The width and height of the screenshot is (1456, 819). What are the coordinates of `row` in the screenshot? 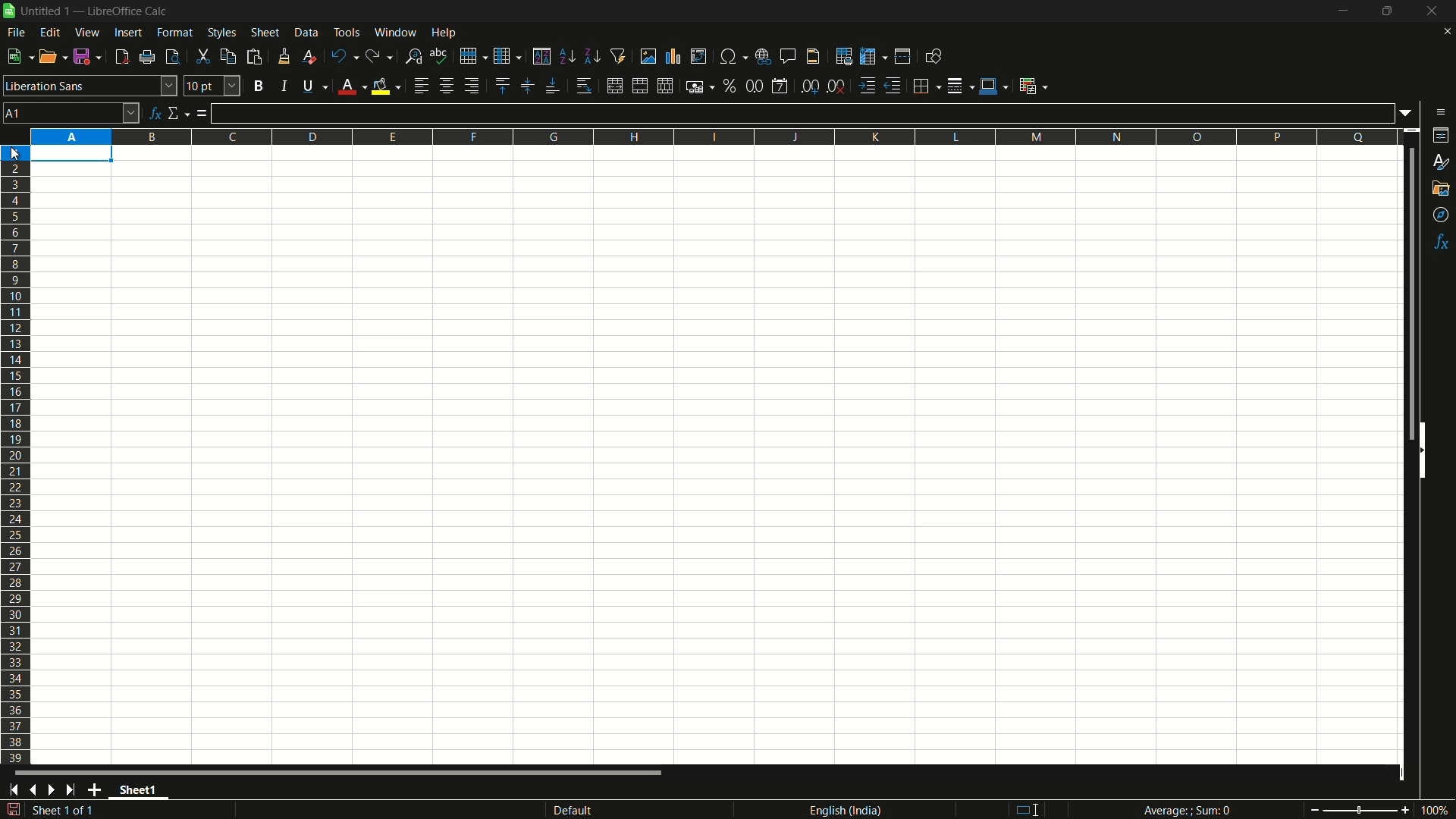 It's located at (473, 55).